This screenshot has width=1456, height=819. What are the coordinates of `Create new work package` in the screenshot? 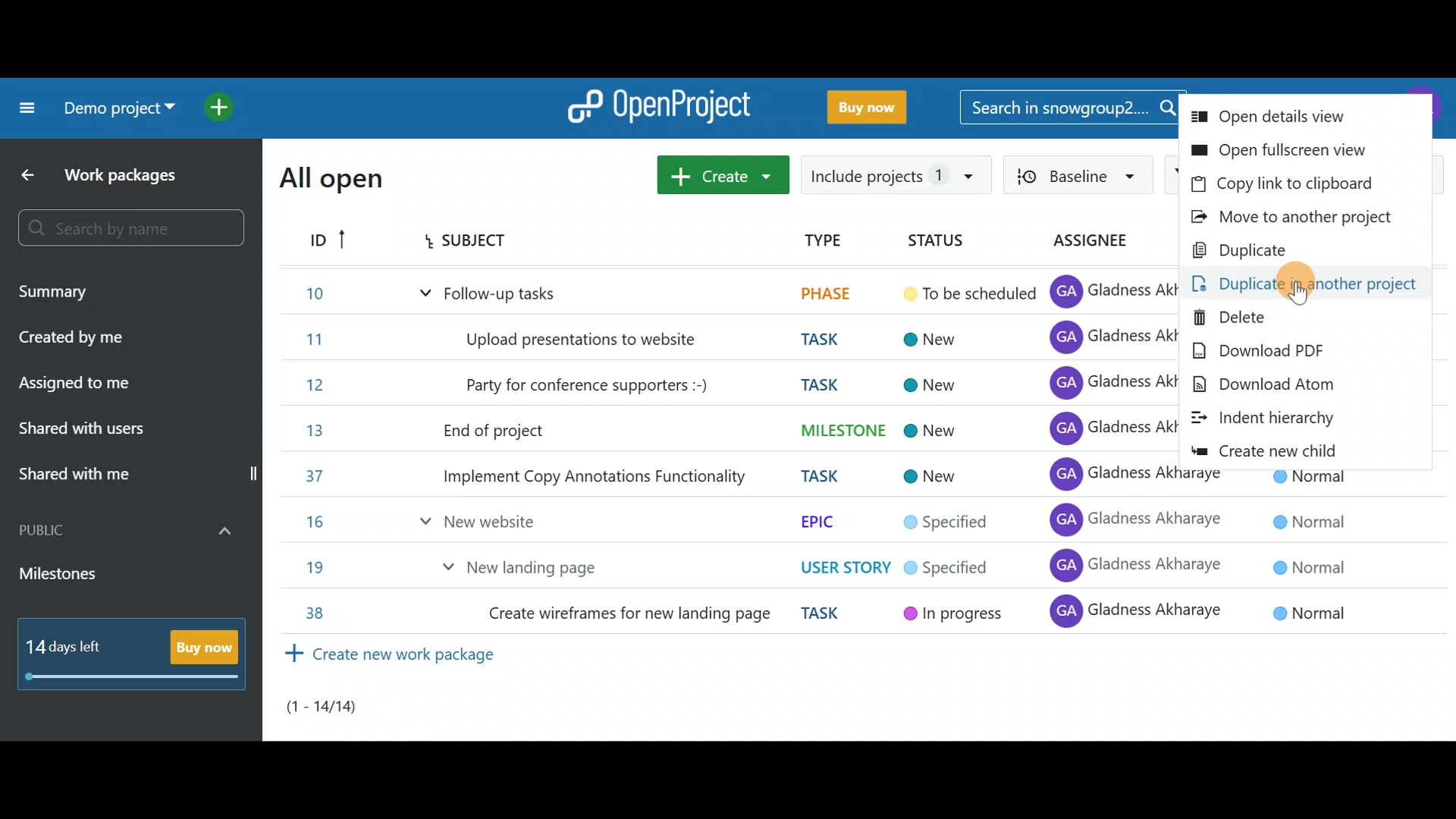 It's located at (386, 659).